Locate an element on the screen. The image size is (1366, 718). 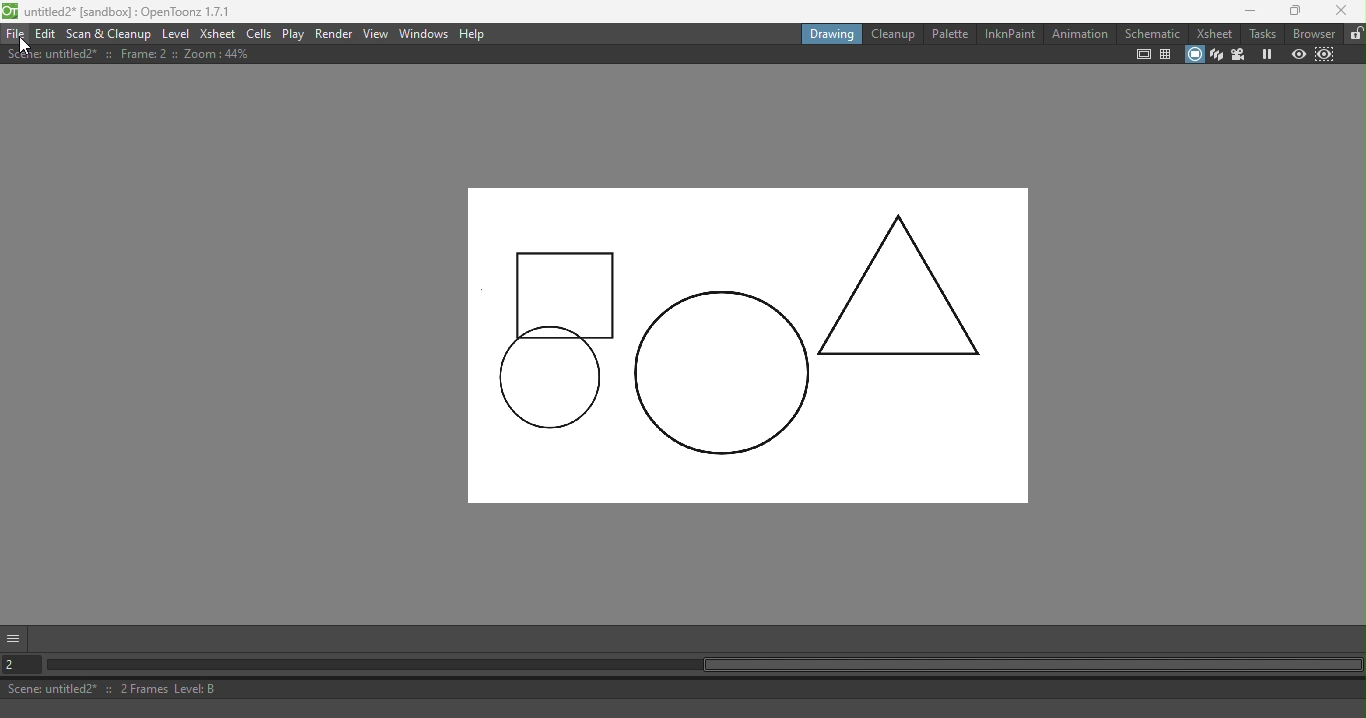
Palette is located at coordinates (951, 31).